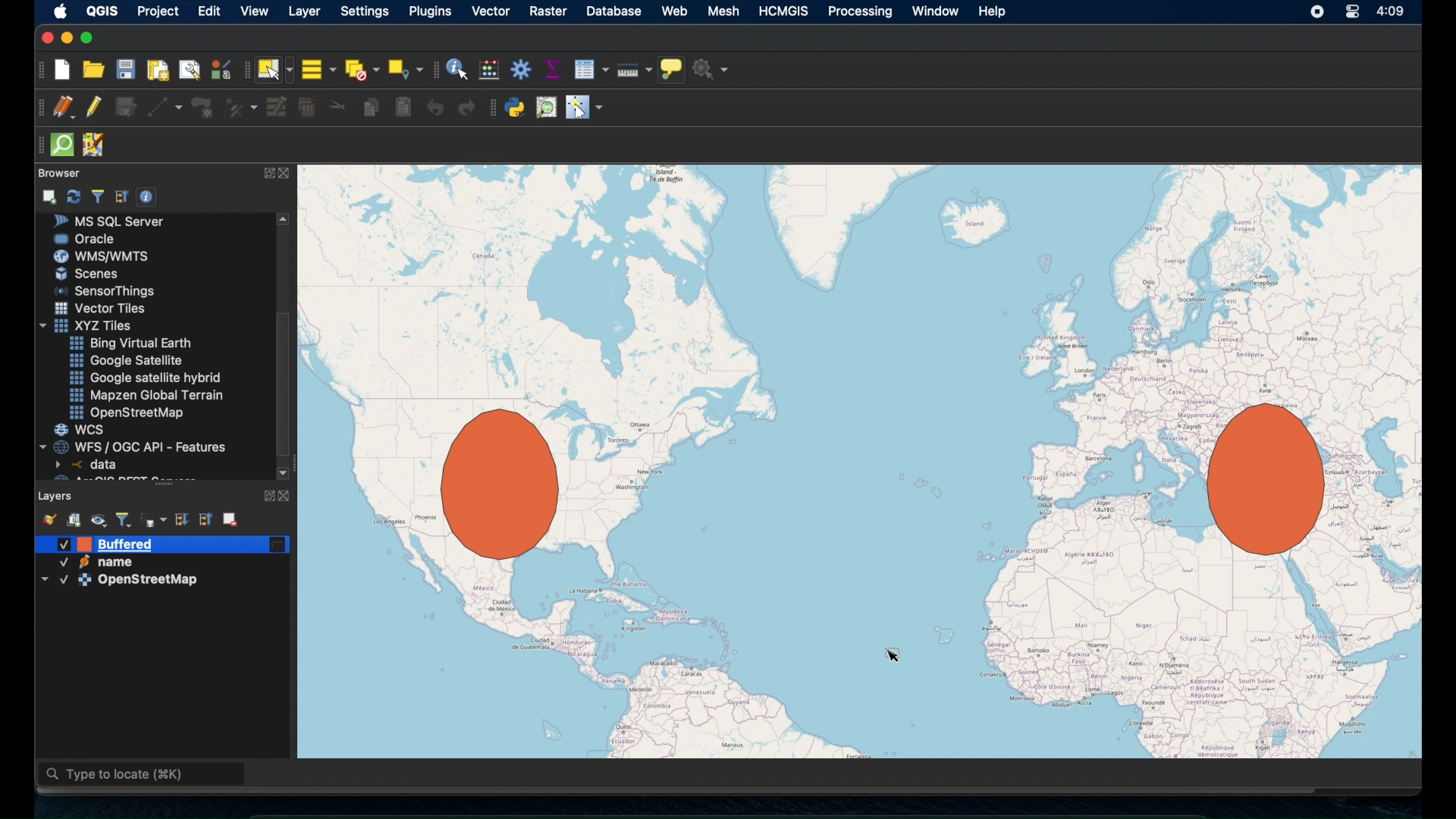 The image size is (1456, 819). Describe the element at coordinates (57, 171) in the screenshot. I see `browser` at that location.